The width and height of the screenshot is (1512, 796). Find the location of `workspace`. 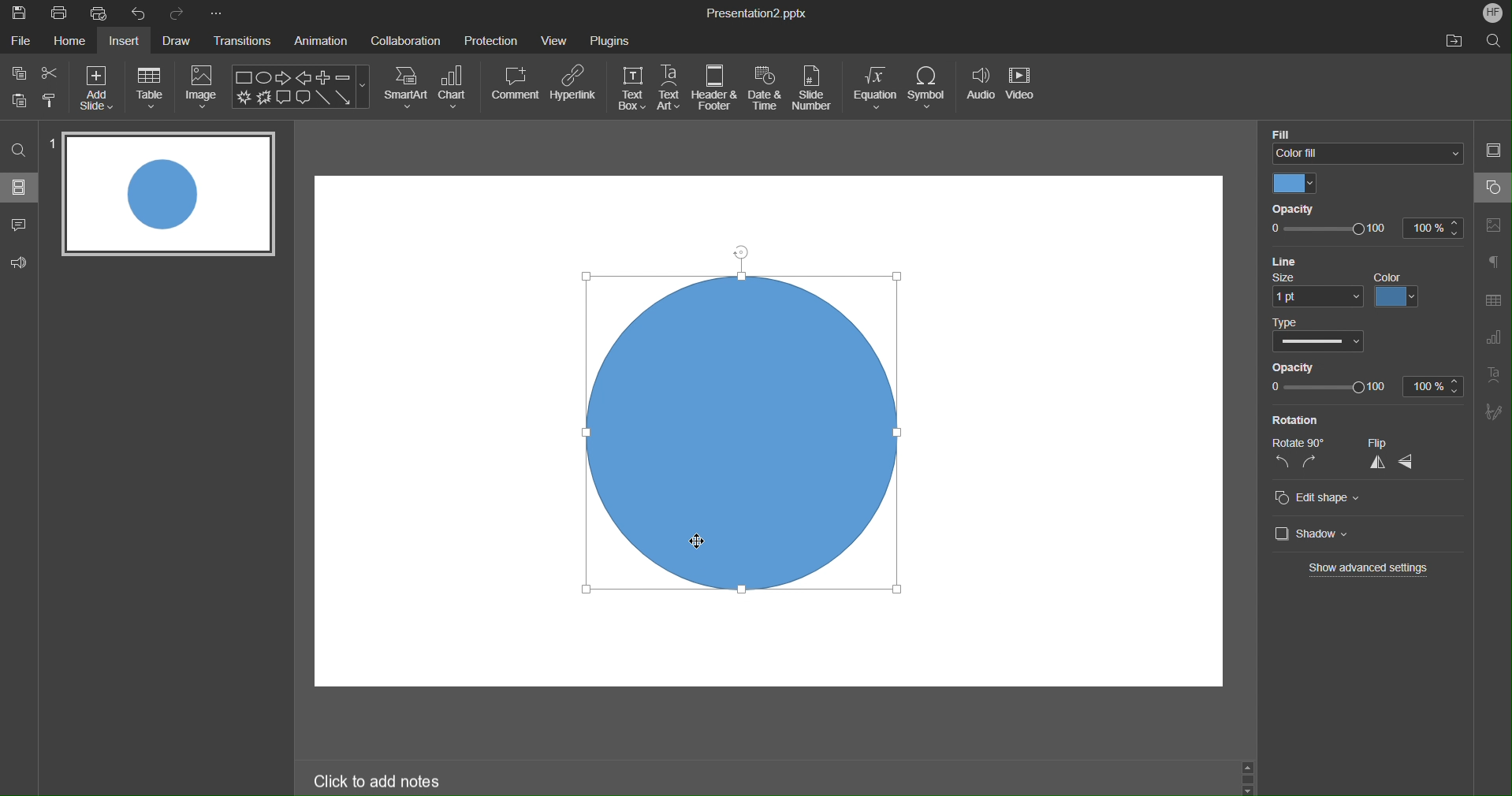

workspace is located at coordinates (748, 209).